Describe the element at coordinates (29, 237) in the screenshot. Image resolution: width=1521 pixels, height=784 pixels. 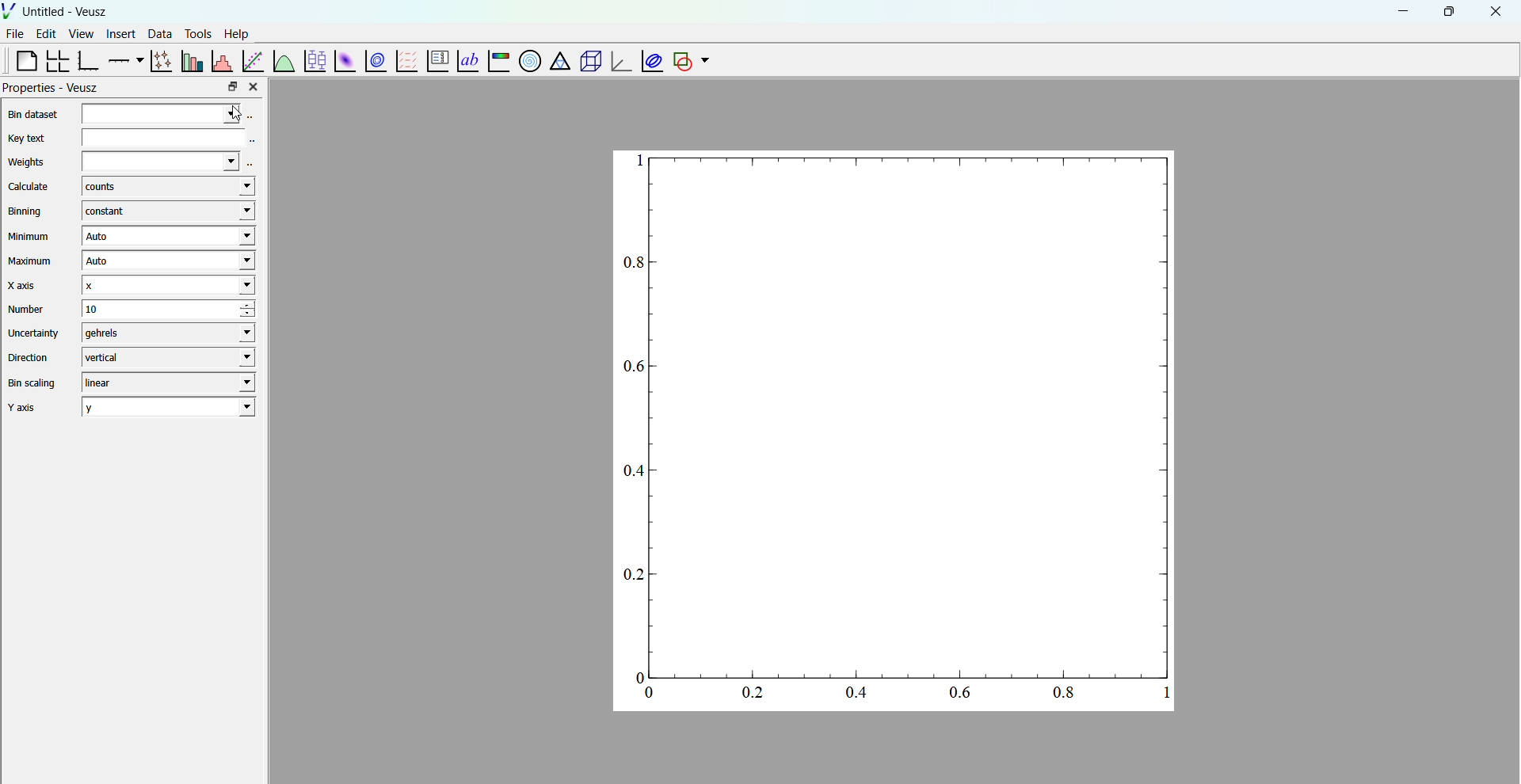
I see `Minimum` at that location.